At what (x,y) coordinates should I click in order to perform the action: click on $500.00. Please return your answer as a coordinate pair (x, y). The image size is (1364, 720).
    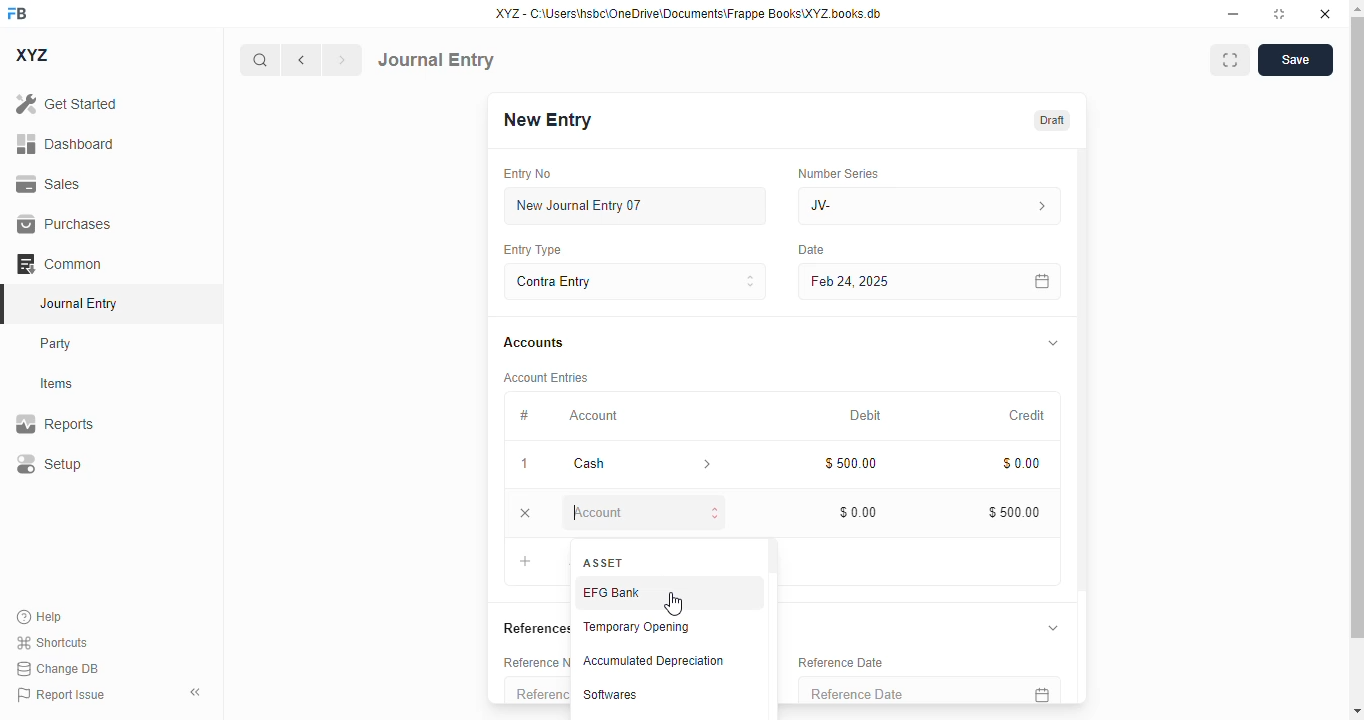
    Looking at the image, I should click on (1014, 512).